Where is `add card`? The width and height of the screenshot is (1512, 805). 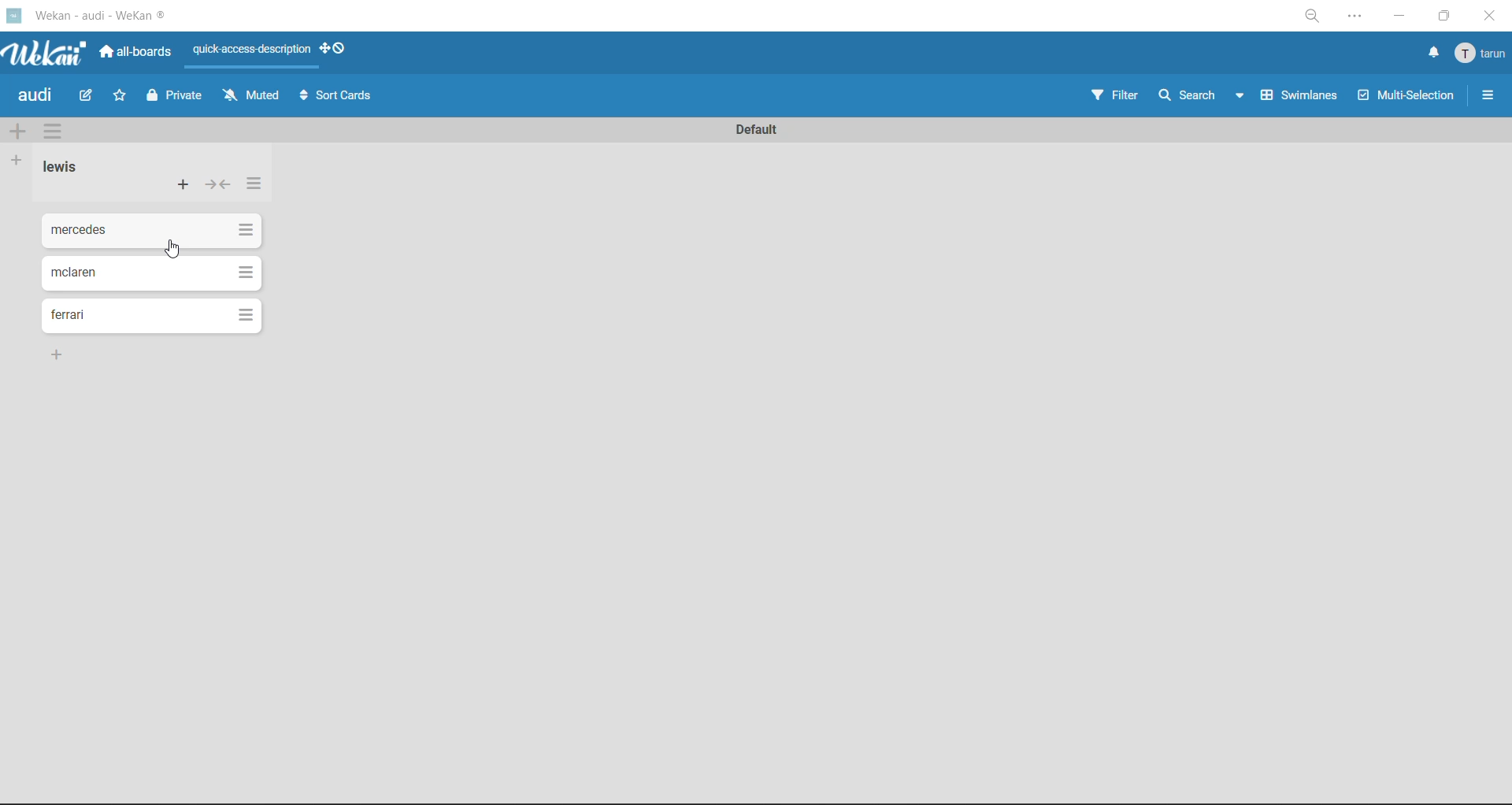
add card is located at coordinates (184, 188).